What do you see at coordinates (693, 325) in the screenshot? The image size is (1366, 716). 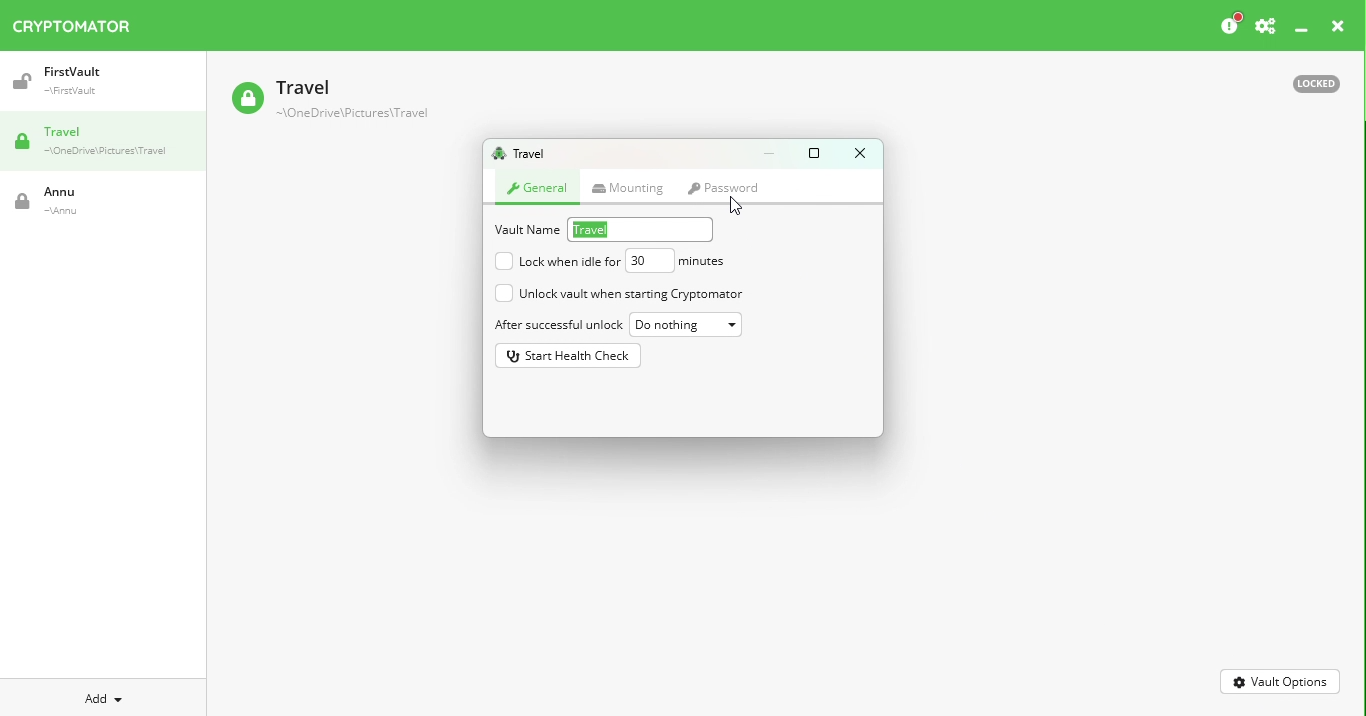 I see `Do nothing` at bounding box center [693, 325].